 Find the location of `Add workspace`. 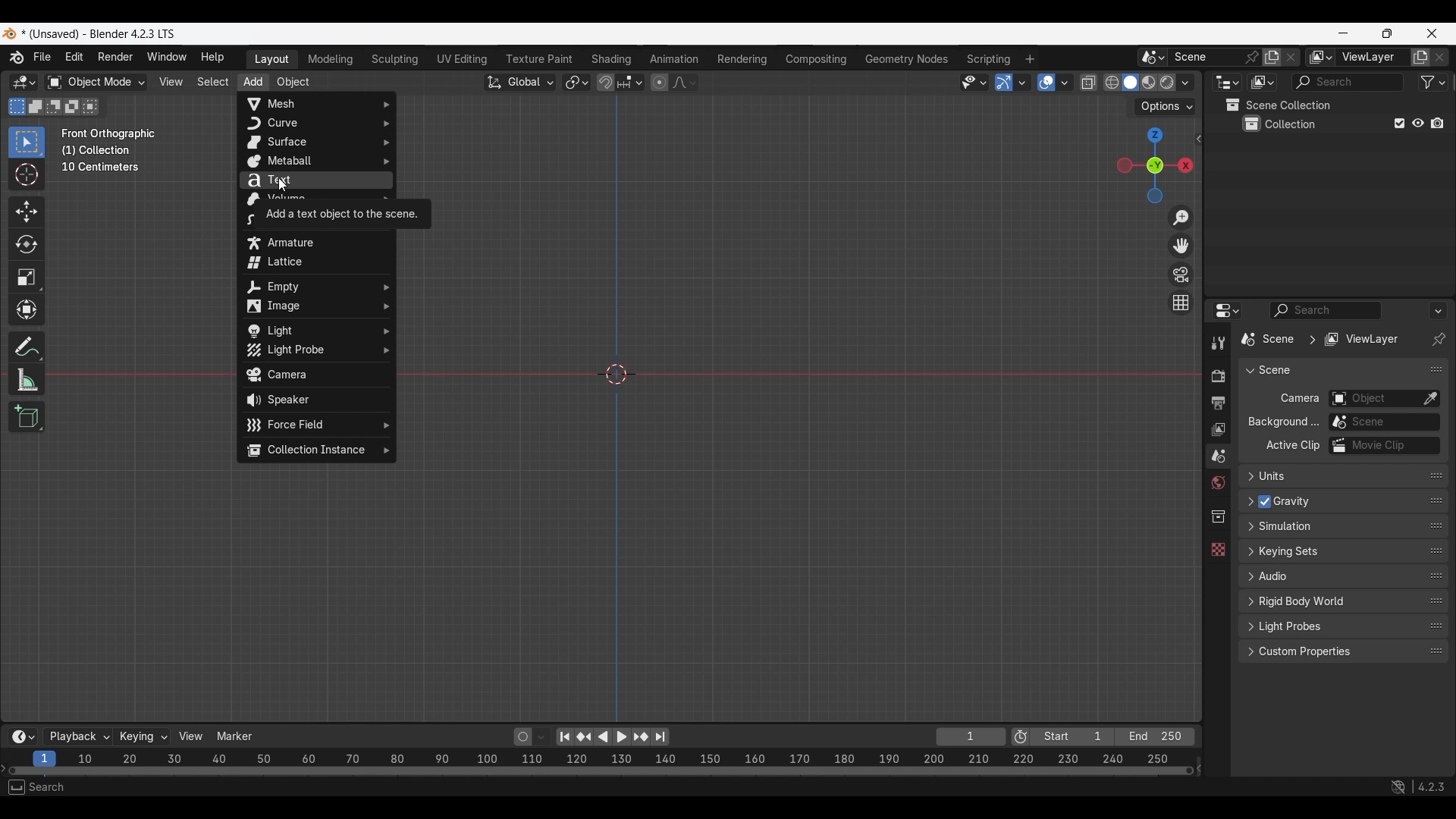

Add workspace is located at coordinates (1029, 59).